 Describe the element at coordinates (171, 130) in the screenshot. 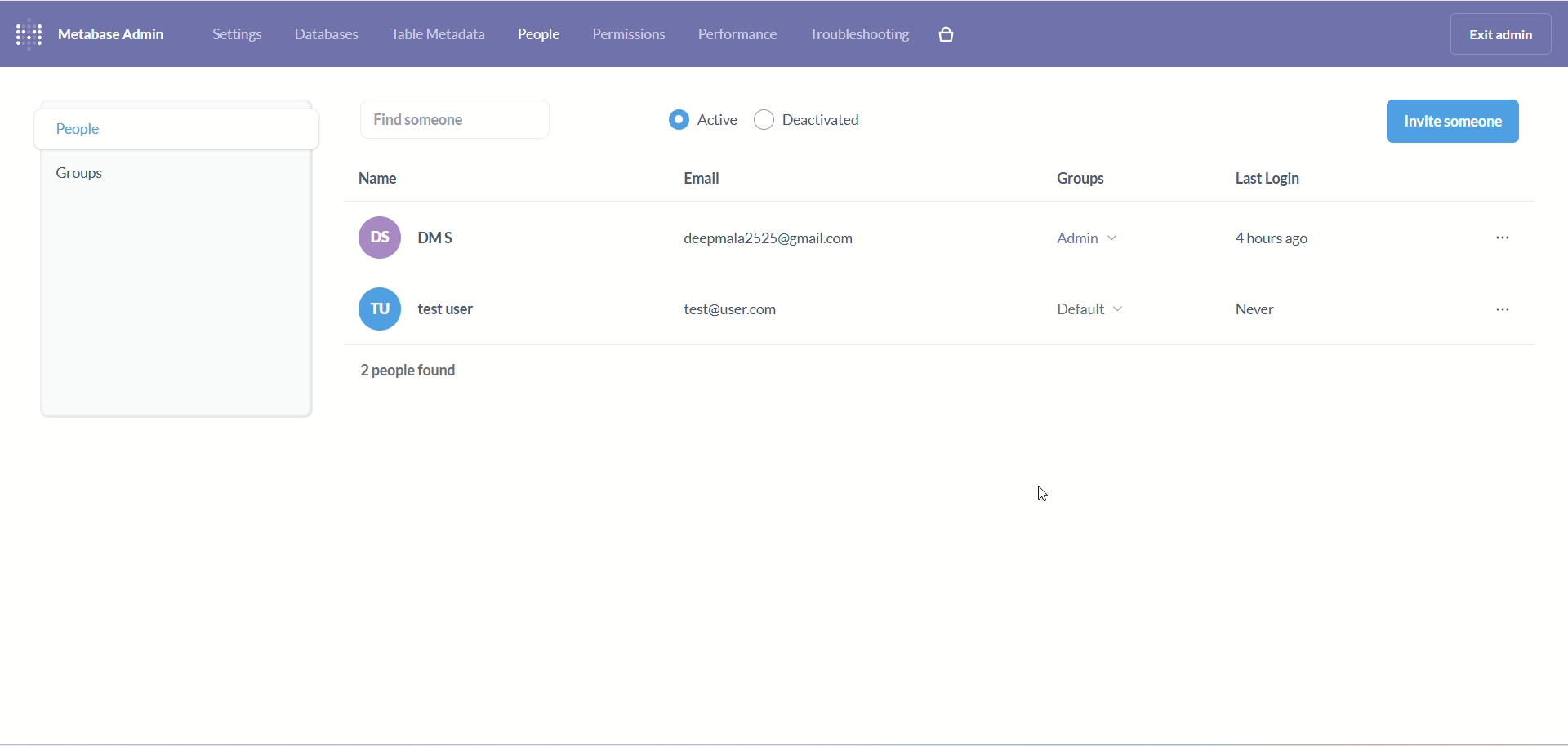

I see `people` at that location.